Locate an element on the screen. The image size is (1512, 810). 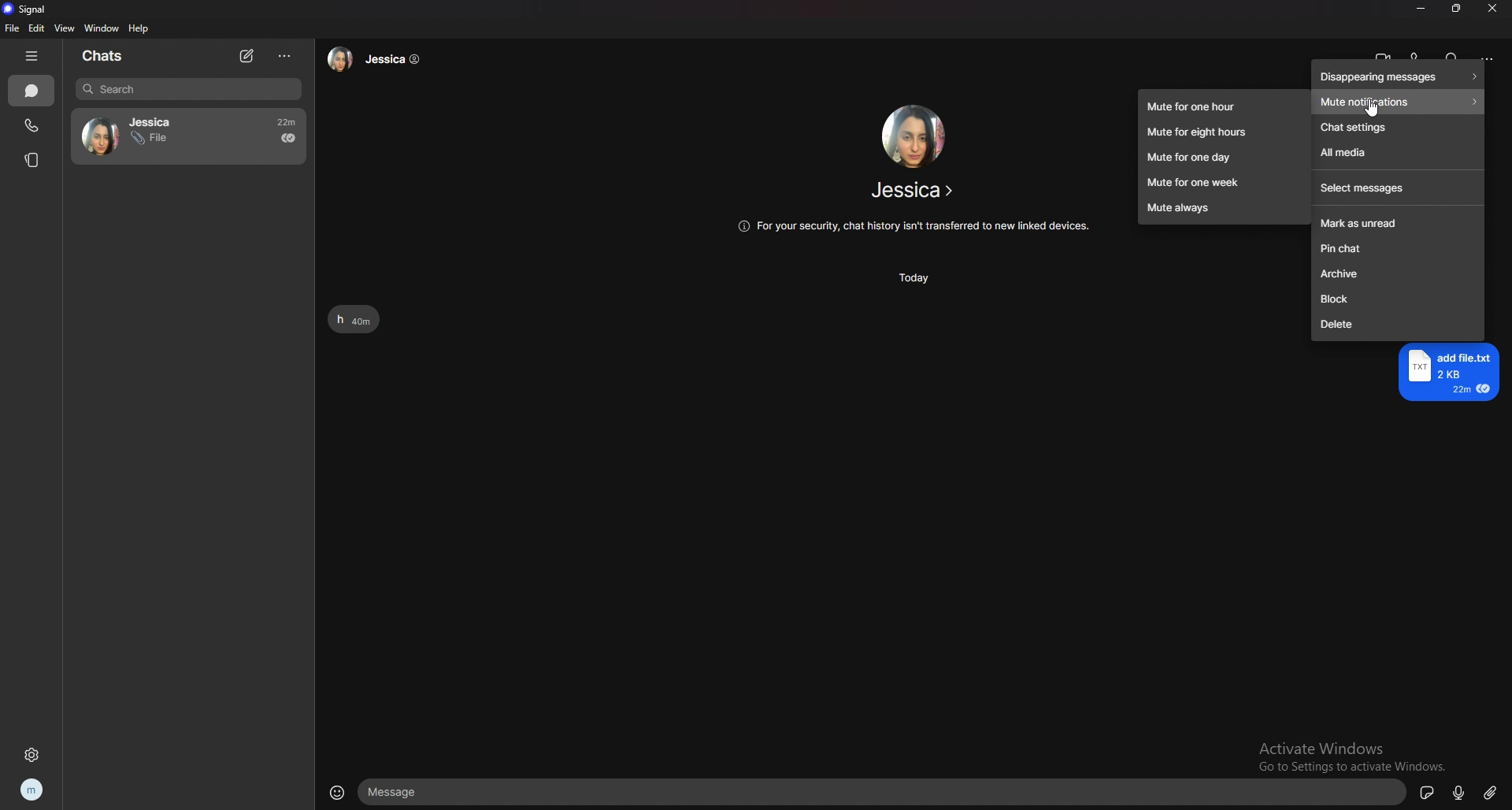
mute for one day is located at coordinates (1227, 159).